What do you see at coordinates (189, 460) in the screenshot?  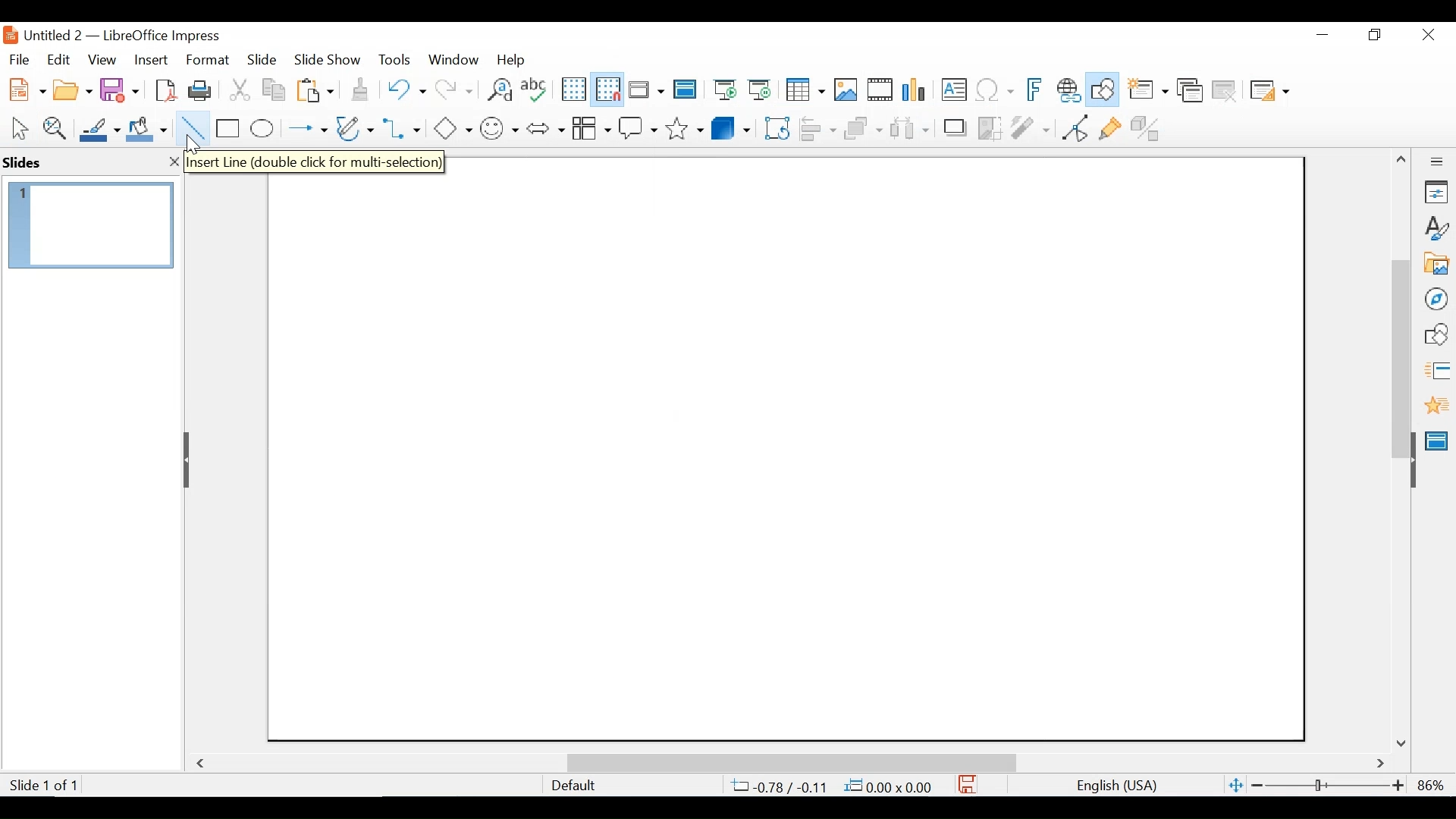 I see `Hide` at bounding box center [189, 460].